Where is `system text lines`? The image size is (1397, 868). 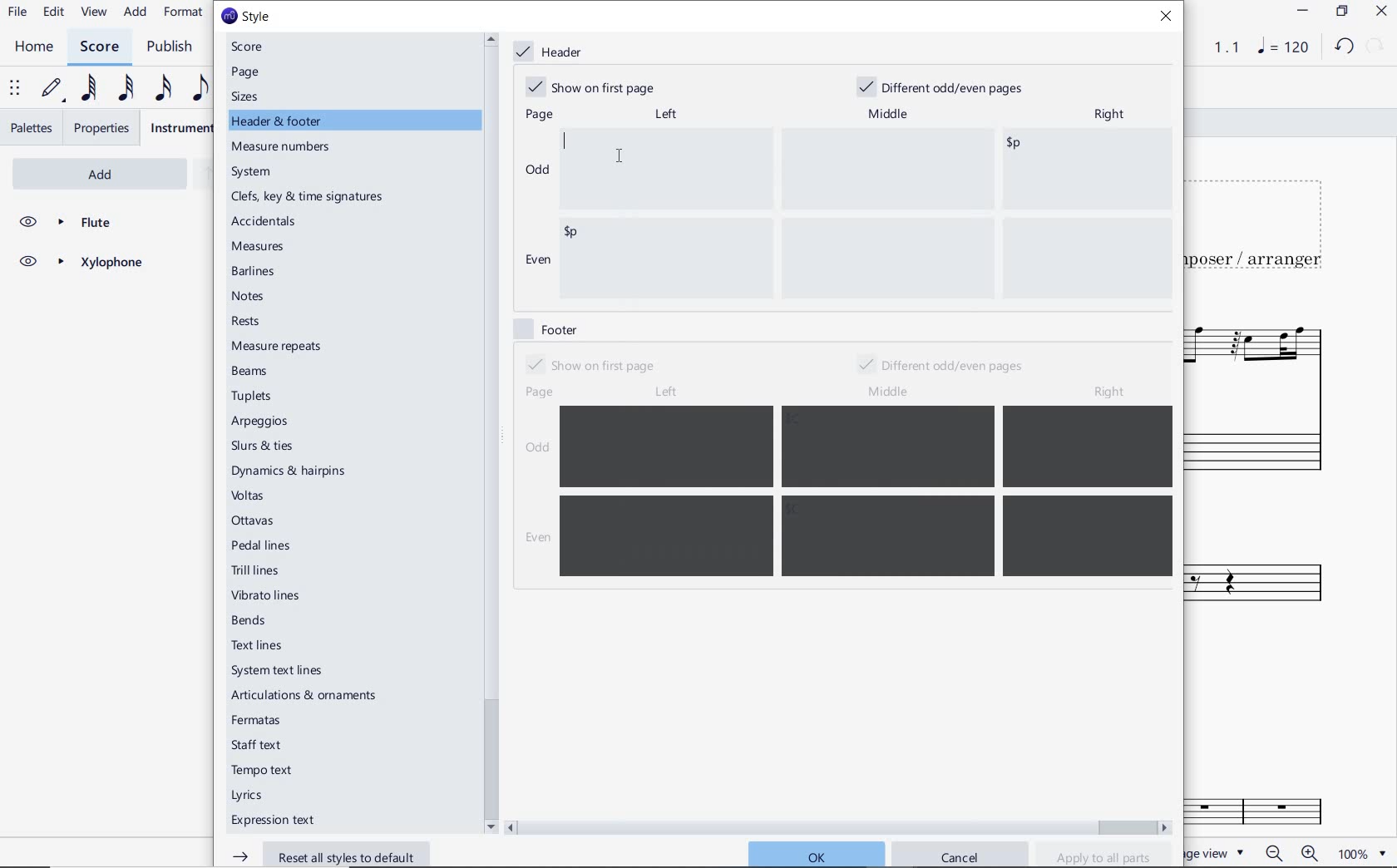 system text lines is located at coordinates (279, 670).